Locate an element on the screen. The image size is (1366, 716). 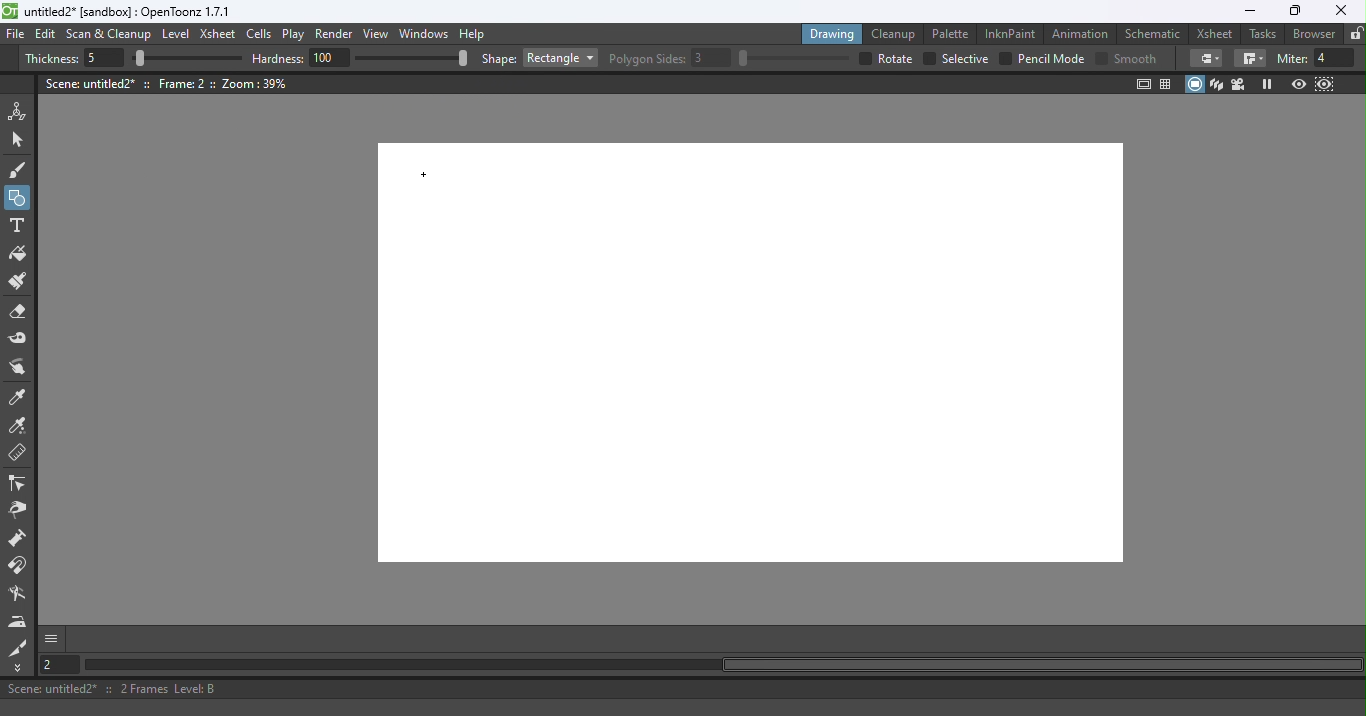
slider is located at coordinates (793, 58).